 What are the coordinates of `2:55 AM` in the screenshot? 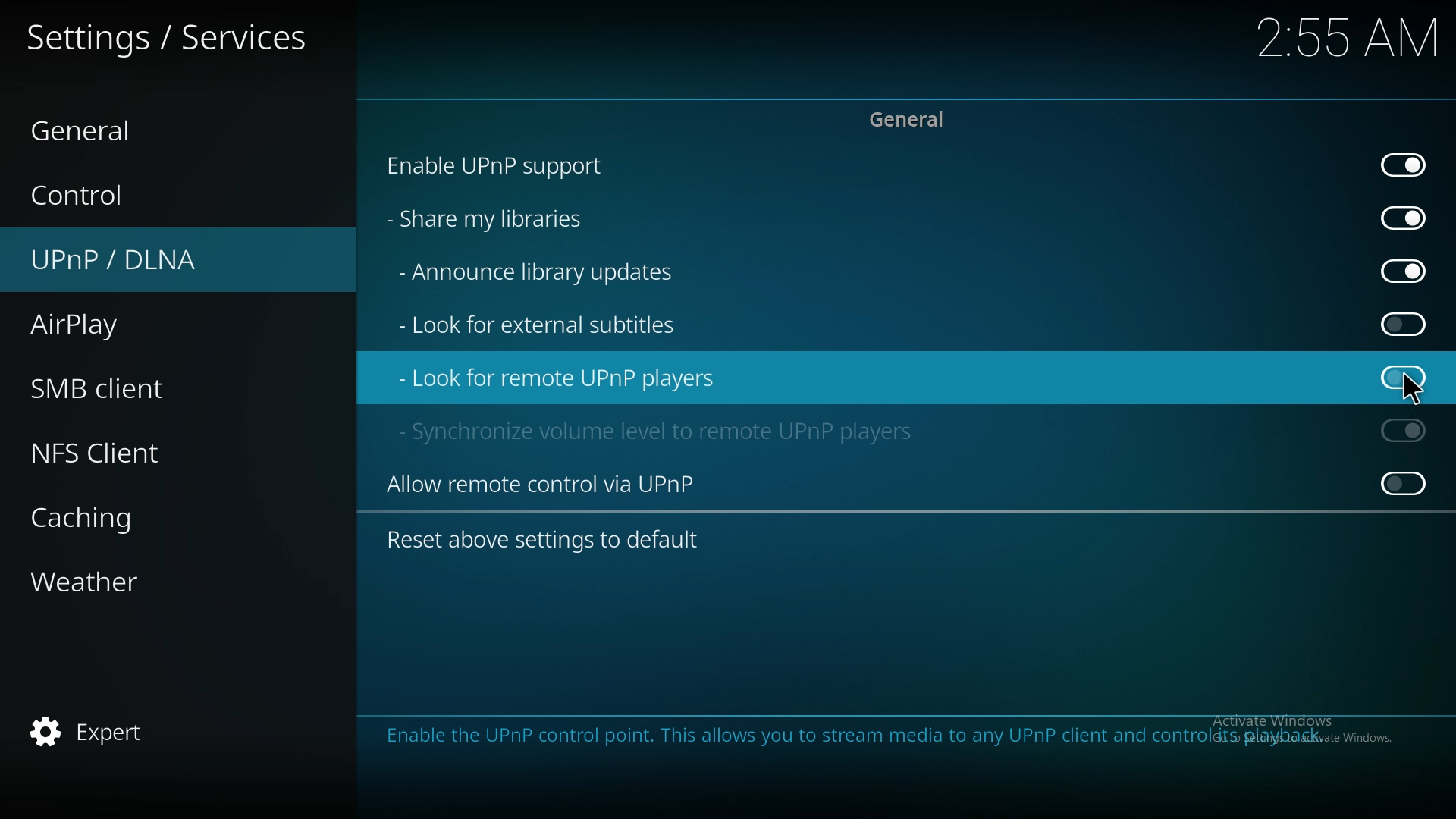 It's located at (1344, 43).